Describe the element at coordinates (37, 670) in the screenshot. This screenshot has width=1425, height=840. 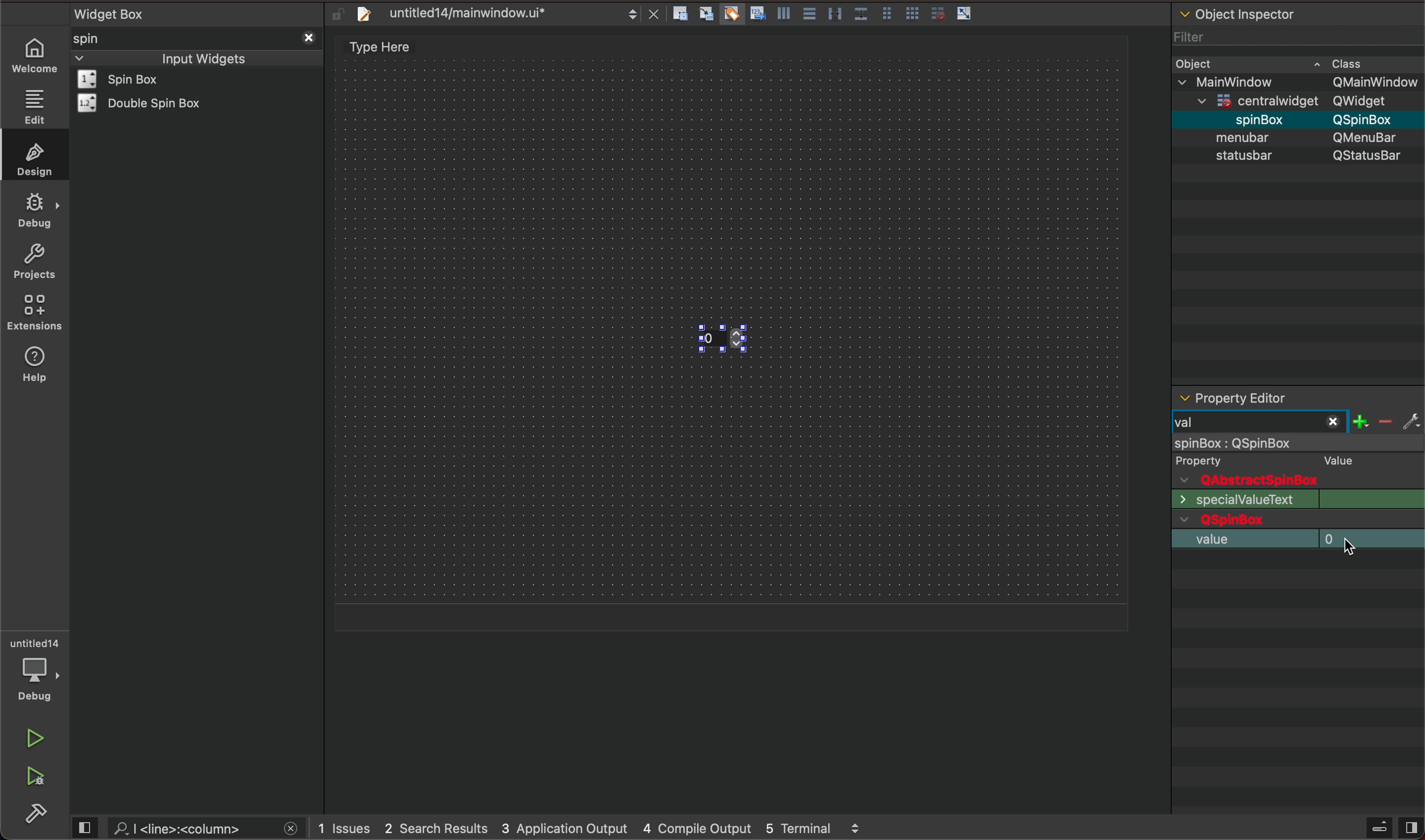
I see `debugger` at that location.